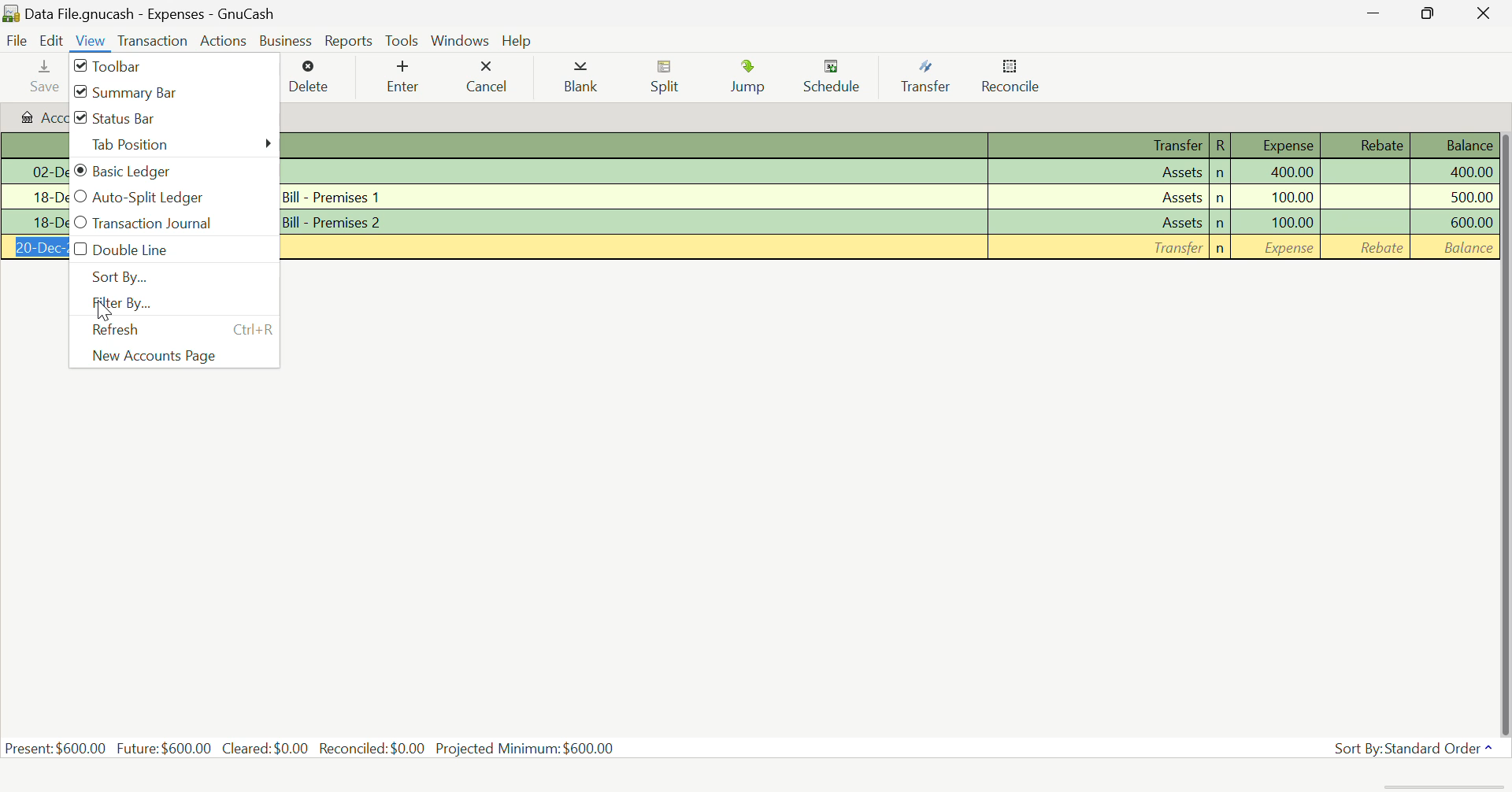 The height and width of the screenshot is (792, 1512). I want to click on Reconcile, so click(1014, 80).